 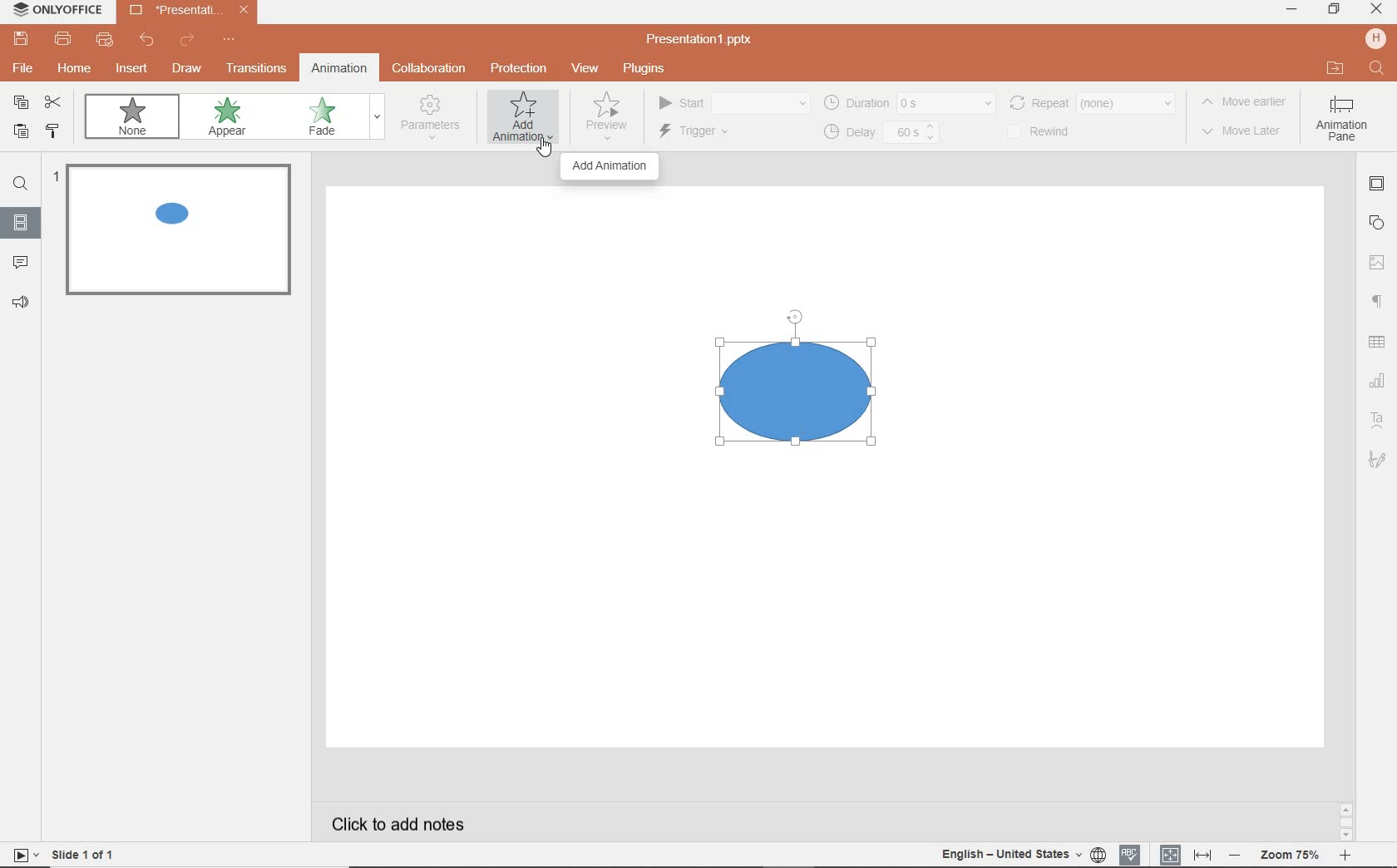 I want to click on shape settings, so click(x=1380, y=222).